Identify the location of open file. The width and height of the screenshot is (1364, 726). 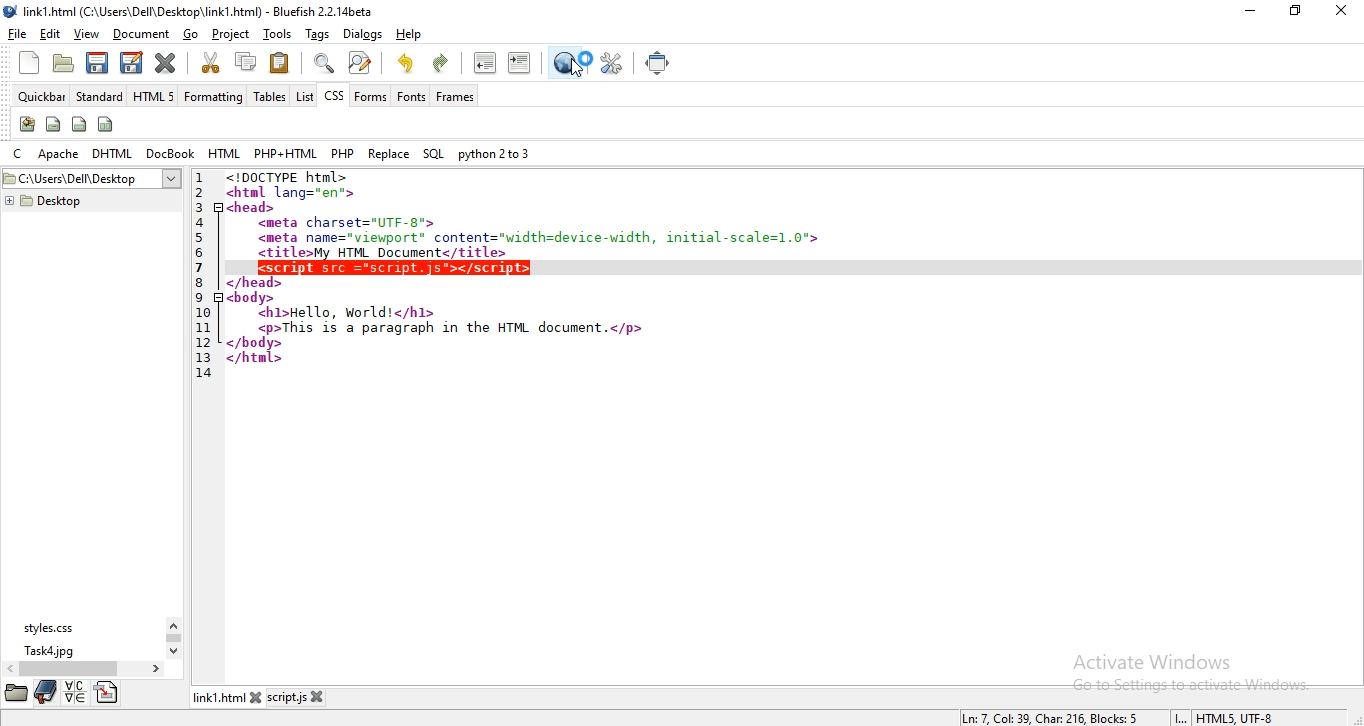
(61, 64).